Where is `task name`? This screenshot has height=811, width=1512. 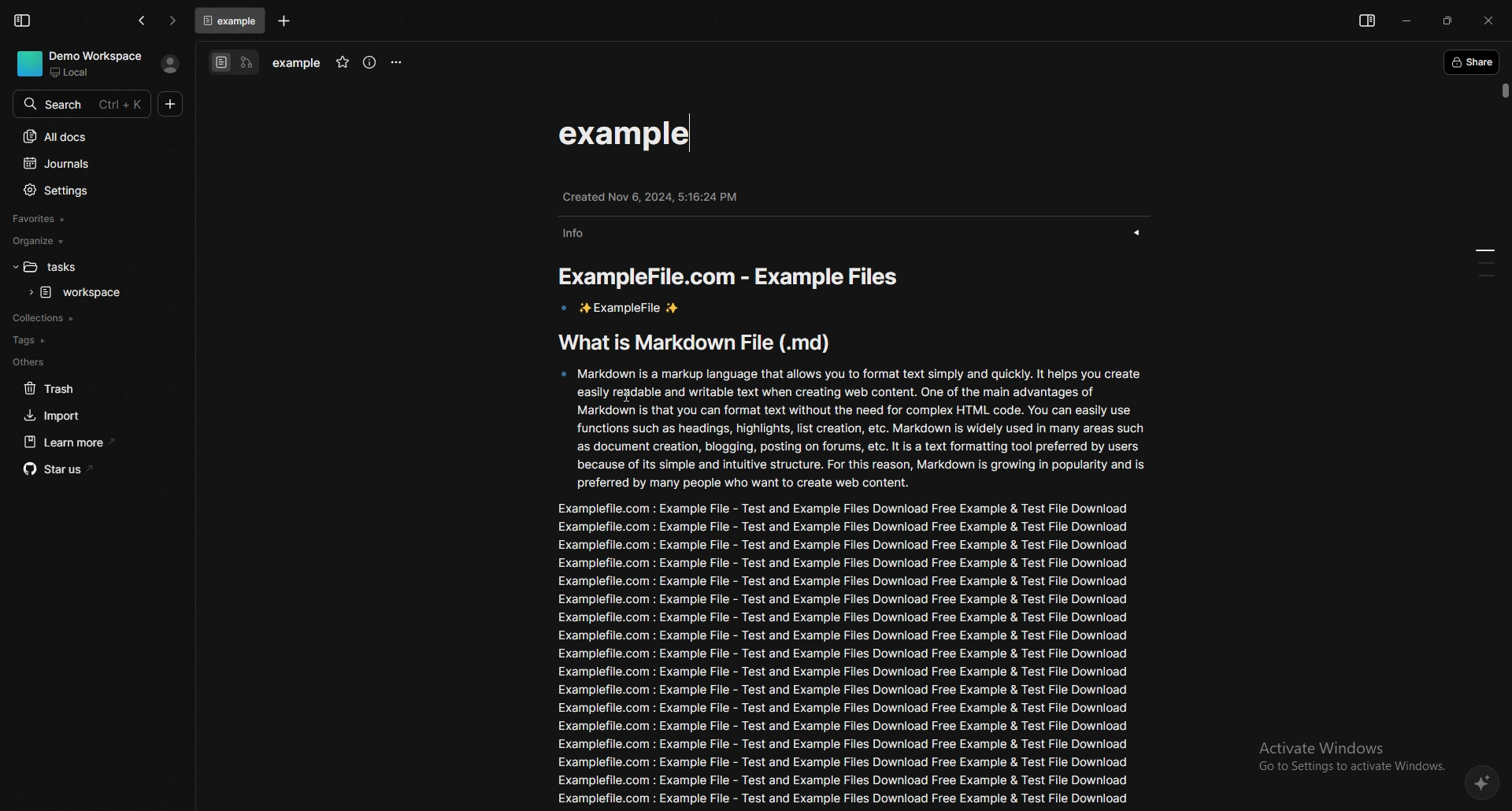 task name is located at coordinates (648, 134).